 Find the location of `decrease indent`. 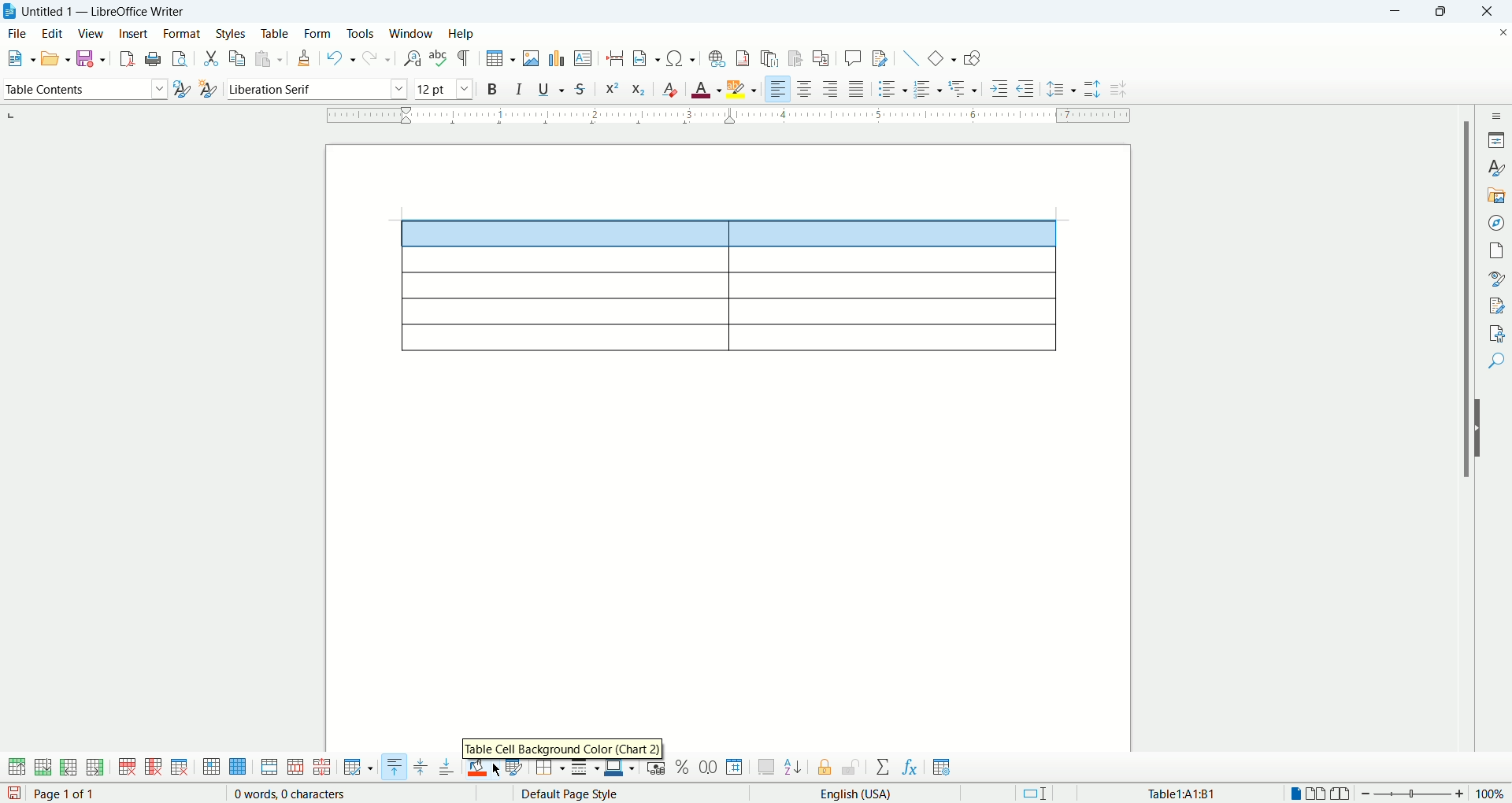

decrease indent is located at coordinates (1025, 87).